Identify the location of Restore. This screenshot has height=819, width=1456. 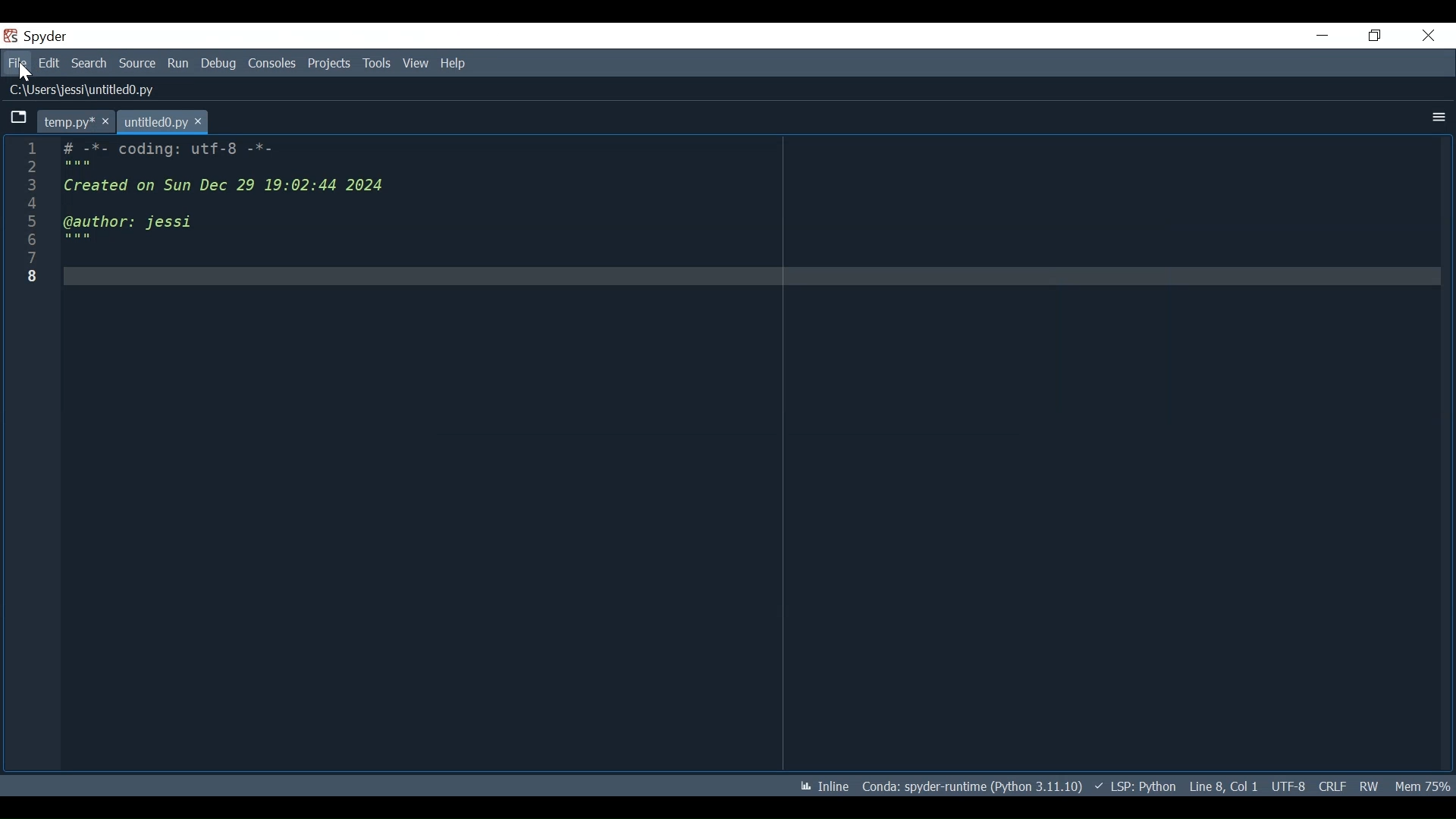
(1373, 36).